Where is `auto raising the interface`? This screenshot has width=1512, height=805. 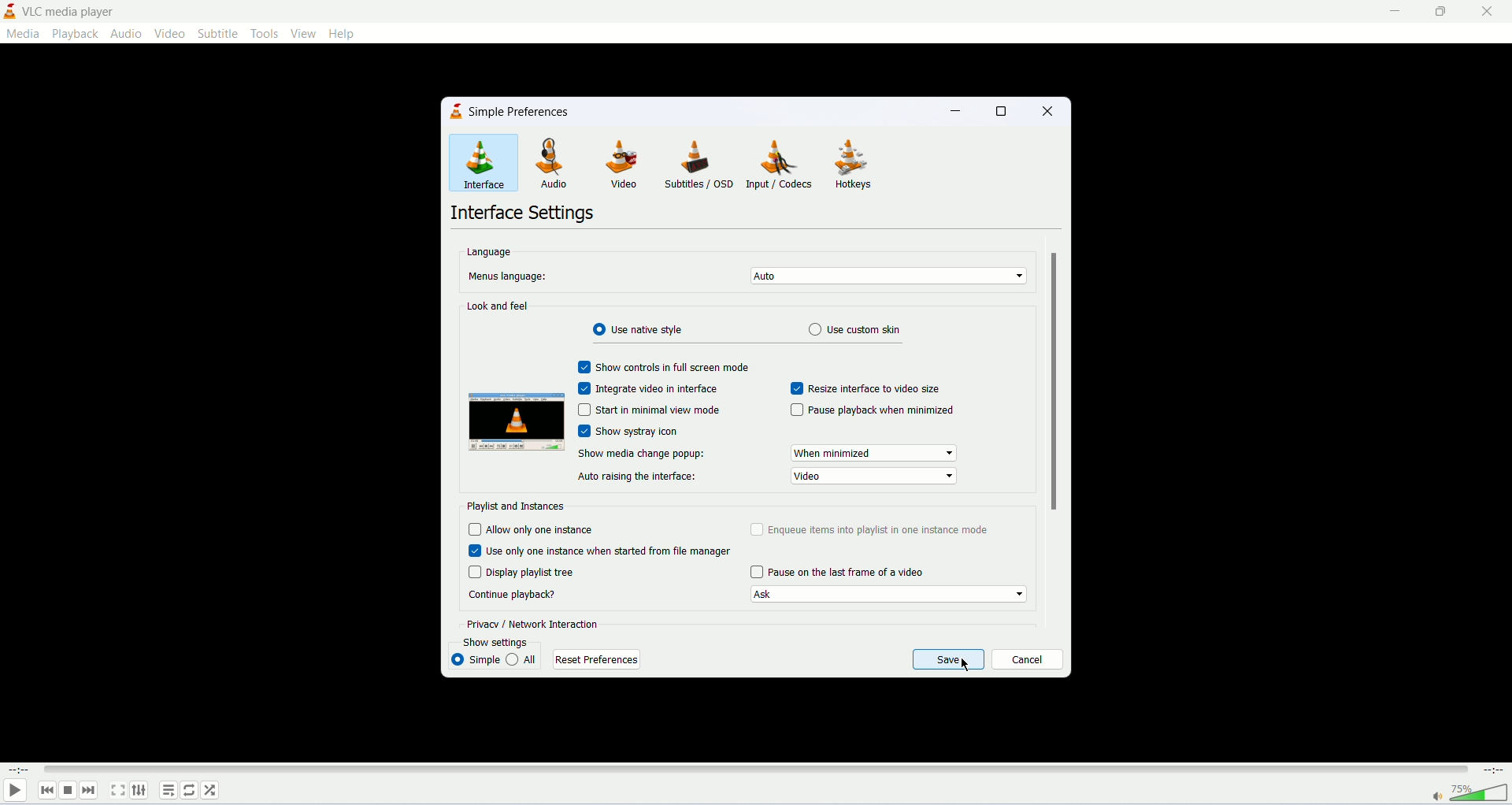 auto raising the interface is located at coordinates (636, 477).